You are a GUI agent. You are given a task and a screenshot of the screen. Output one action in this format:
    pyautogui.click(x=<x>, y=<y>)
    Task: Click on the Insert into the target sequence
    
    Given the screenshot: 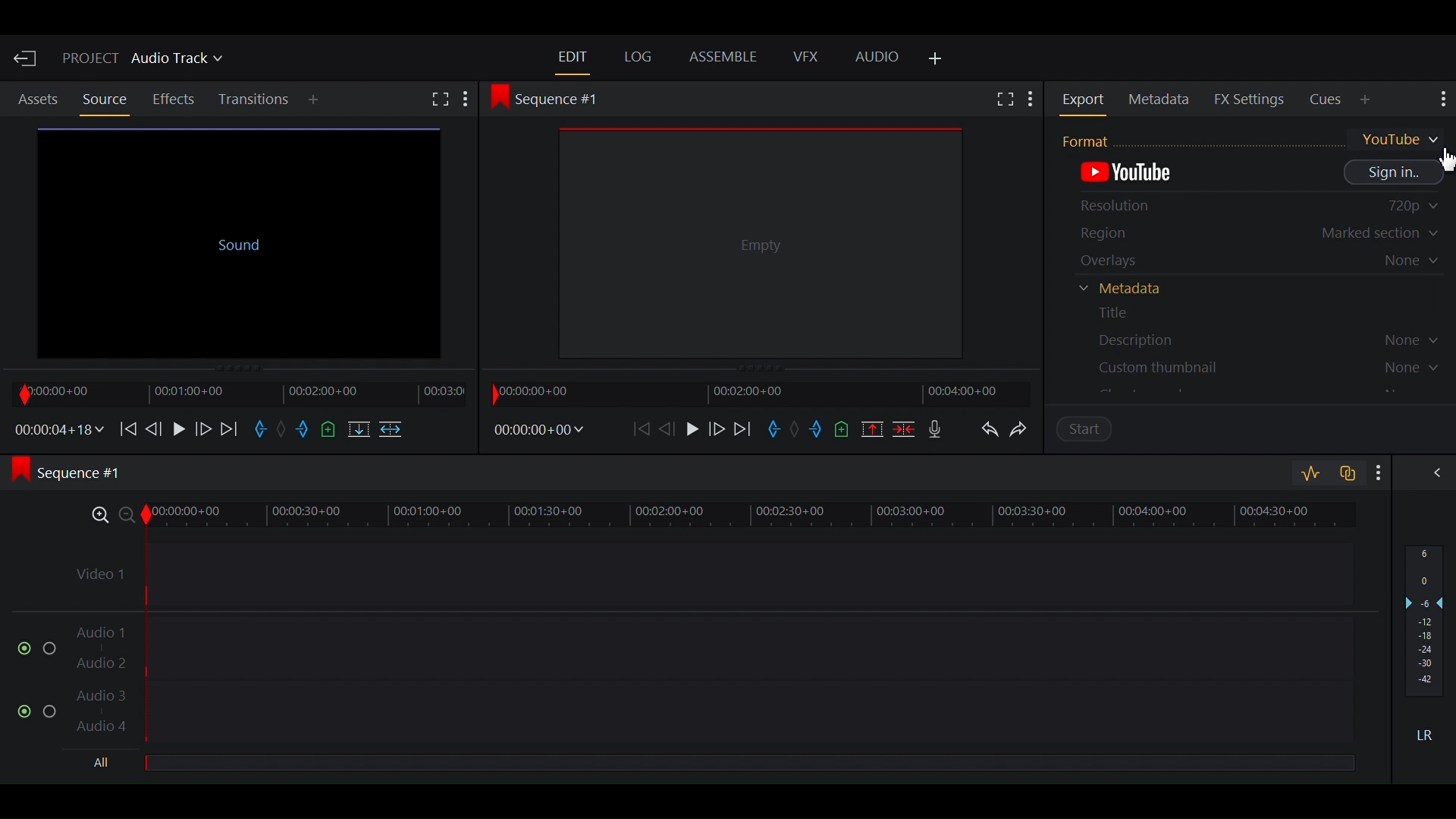 What is the action you would take?
    pyautogui.click(x=391, y=431)
    